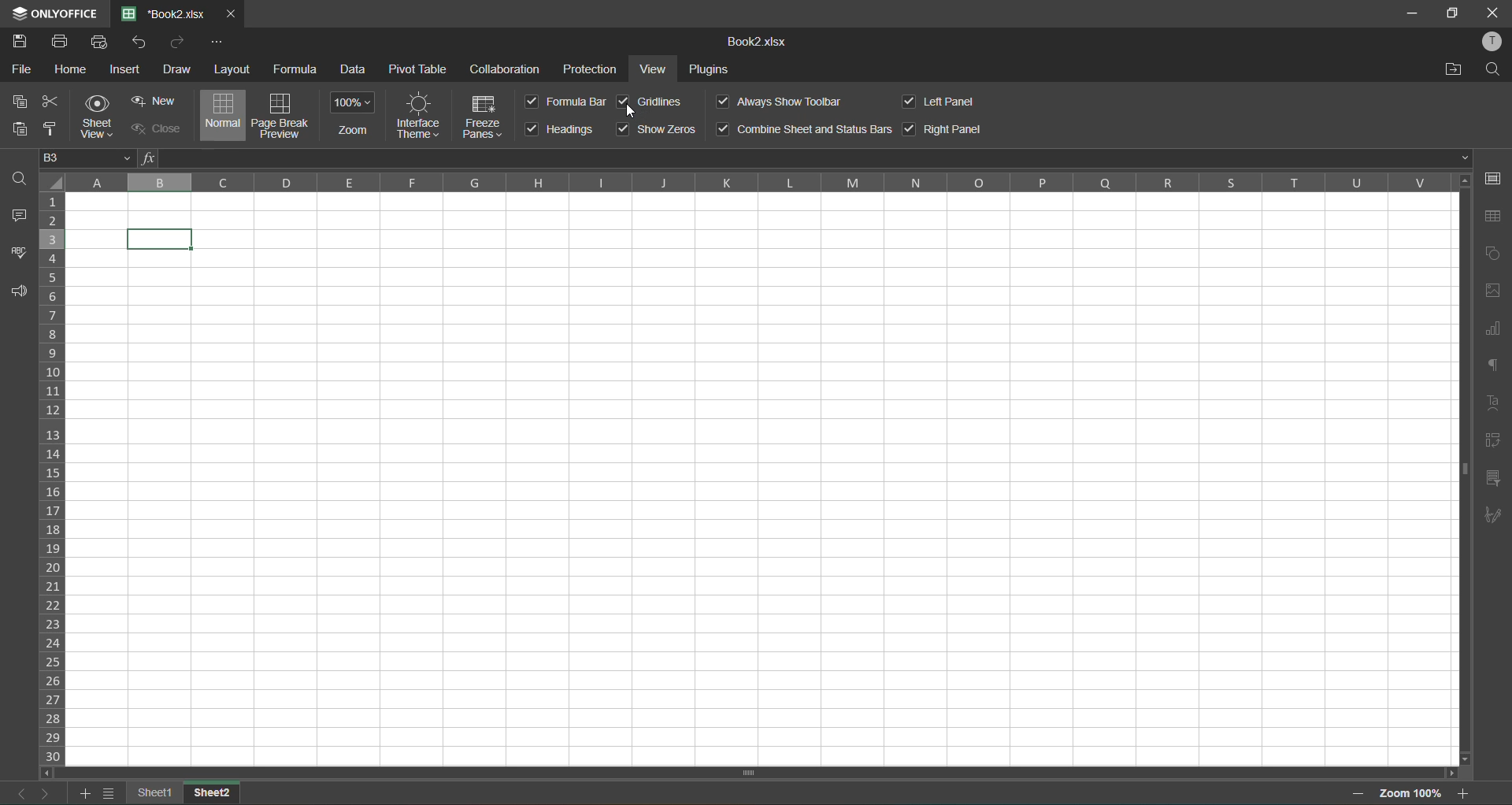  Describe the element at coordinates (1494, 400) in the screenshot. I see `text` at that location.